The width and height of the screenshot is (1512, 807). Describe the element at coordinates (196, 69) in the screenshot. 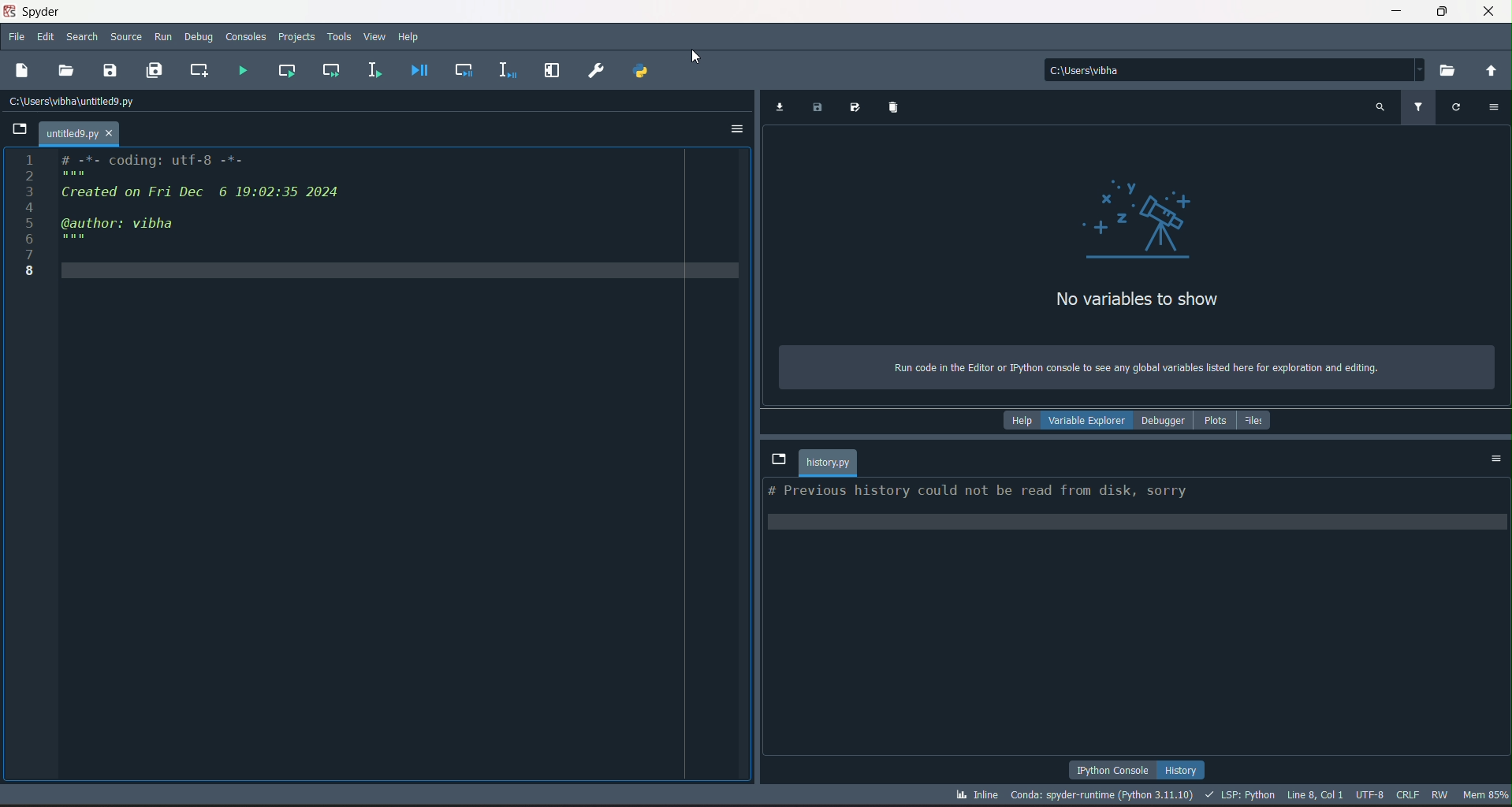

I see `create new cell at current line` at that location.